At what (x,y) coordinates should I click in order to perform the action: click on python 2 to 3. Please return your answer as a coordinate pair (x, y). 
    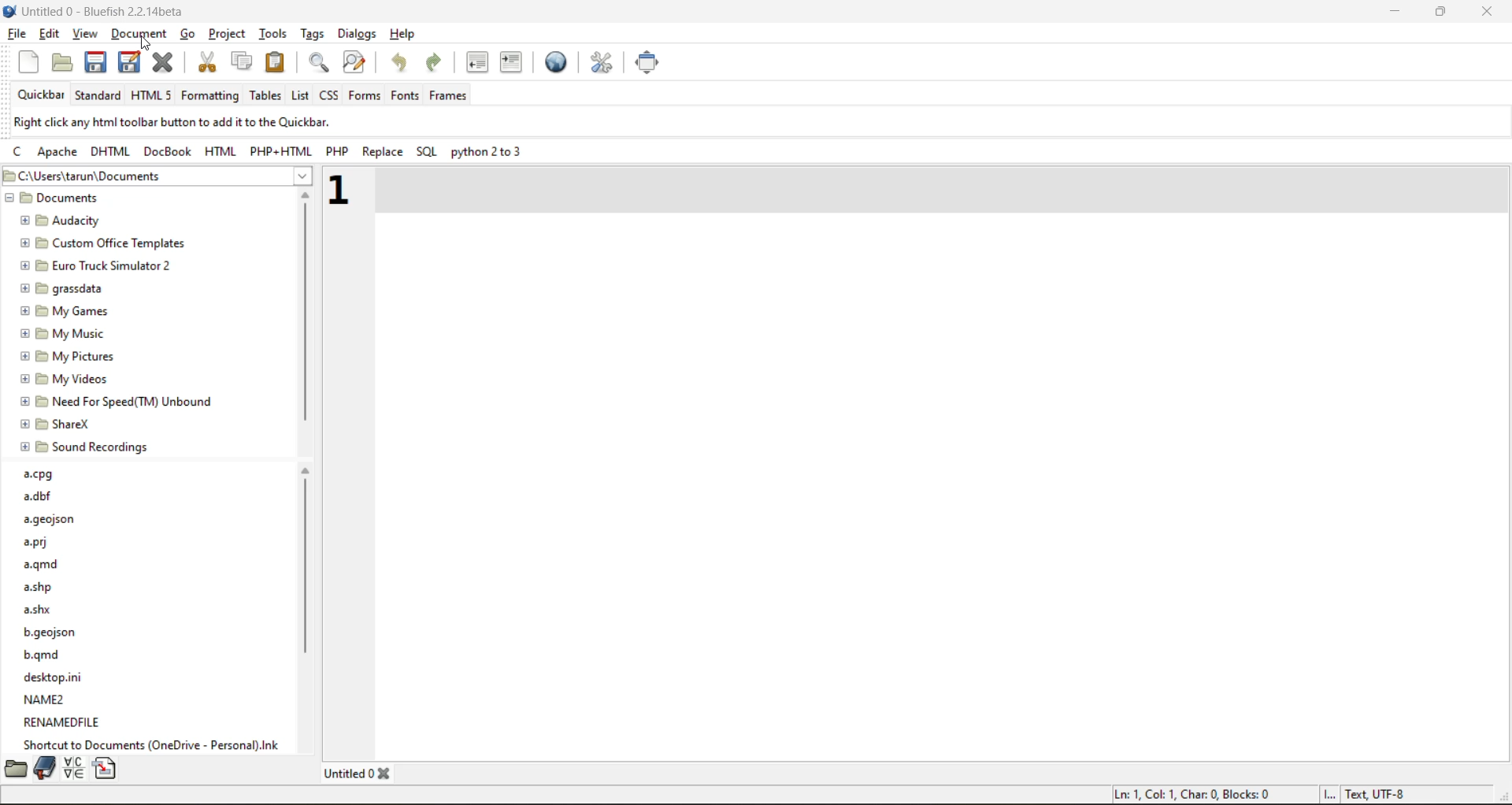
    Looking at the image, I should click on (487, 152).